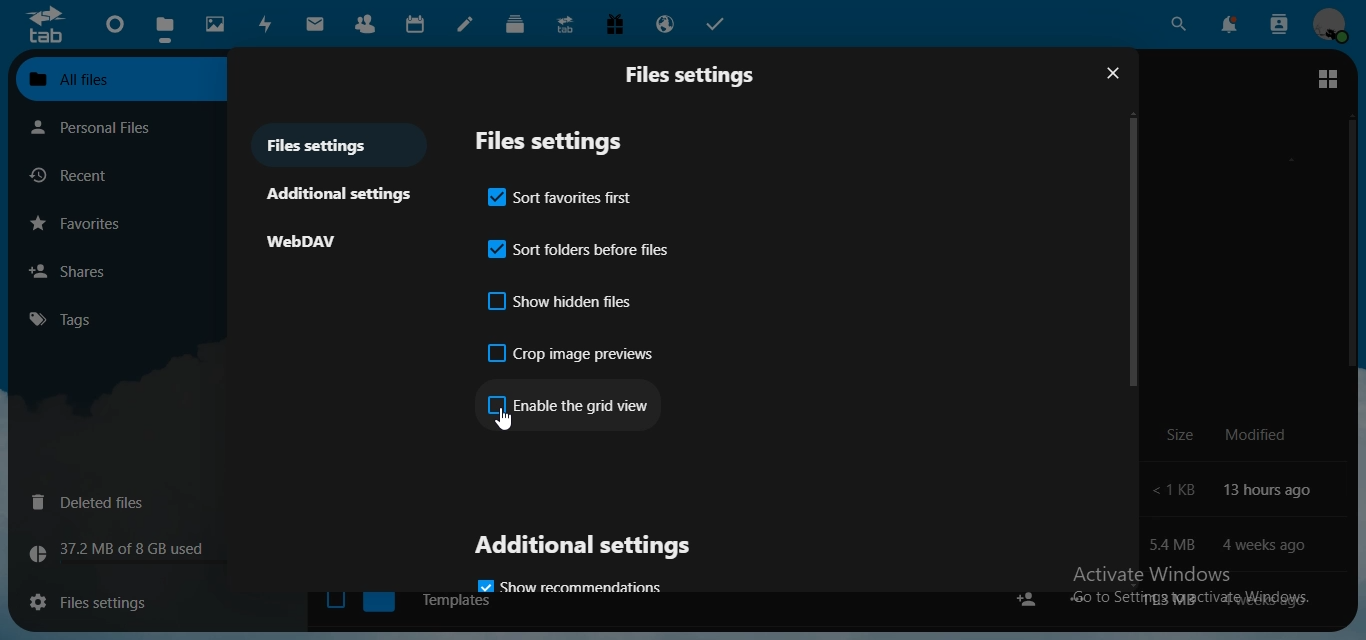 The width and height of the screenshot is (1366, 640). I want to click on WebDAV, so click(309, 242).